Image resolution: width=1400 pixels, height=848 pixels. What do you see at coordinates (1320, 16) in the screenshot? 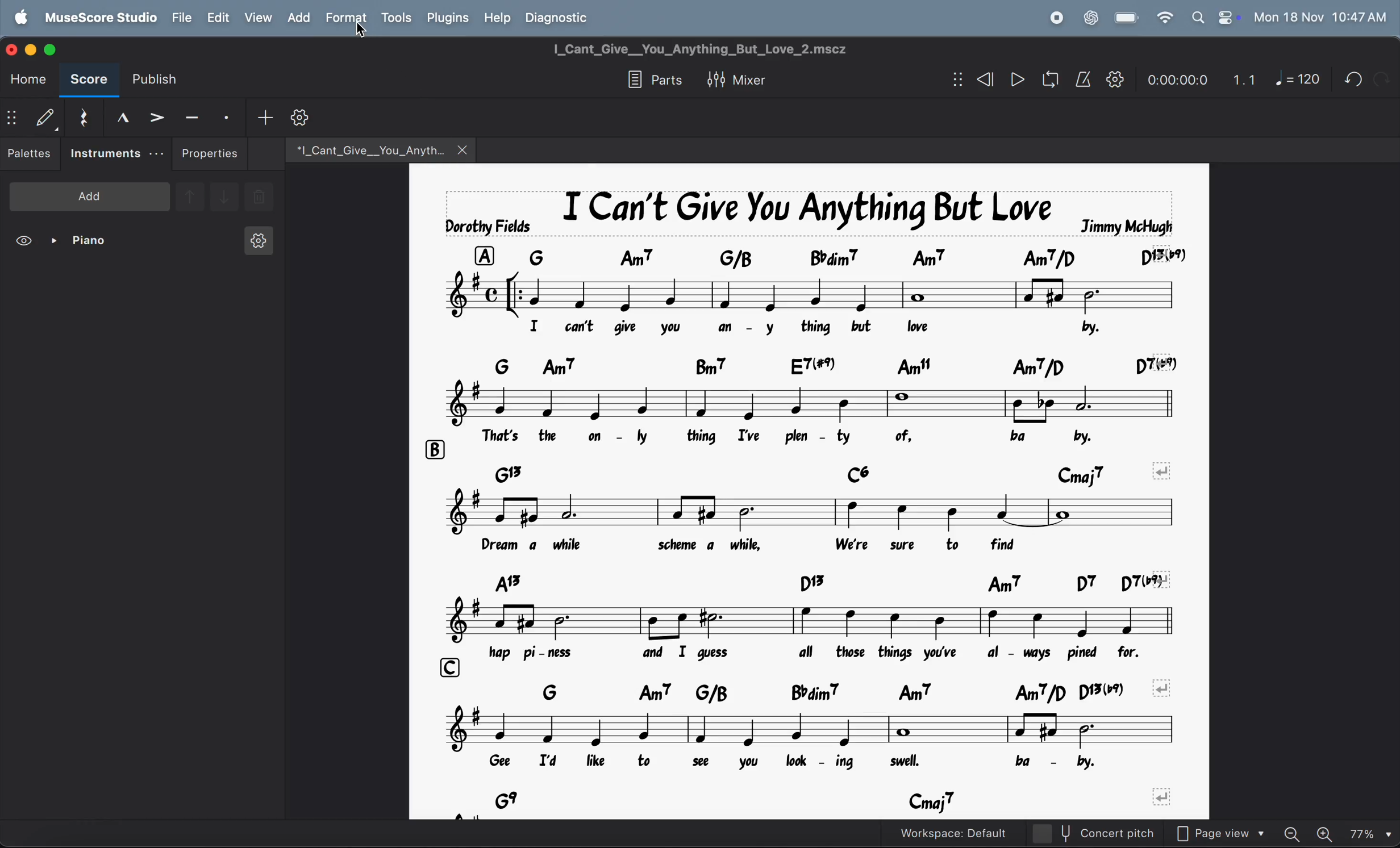
I see `date and time` at bounding box center [1320, 16].